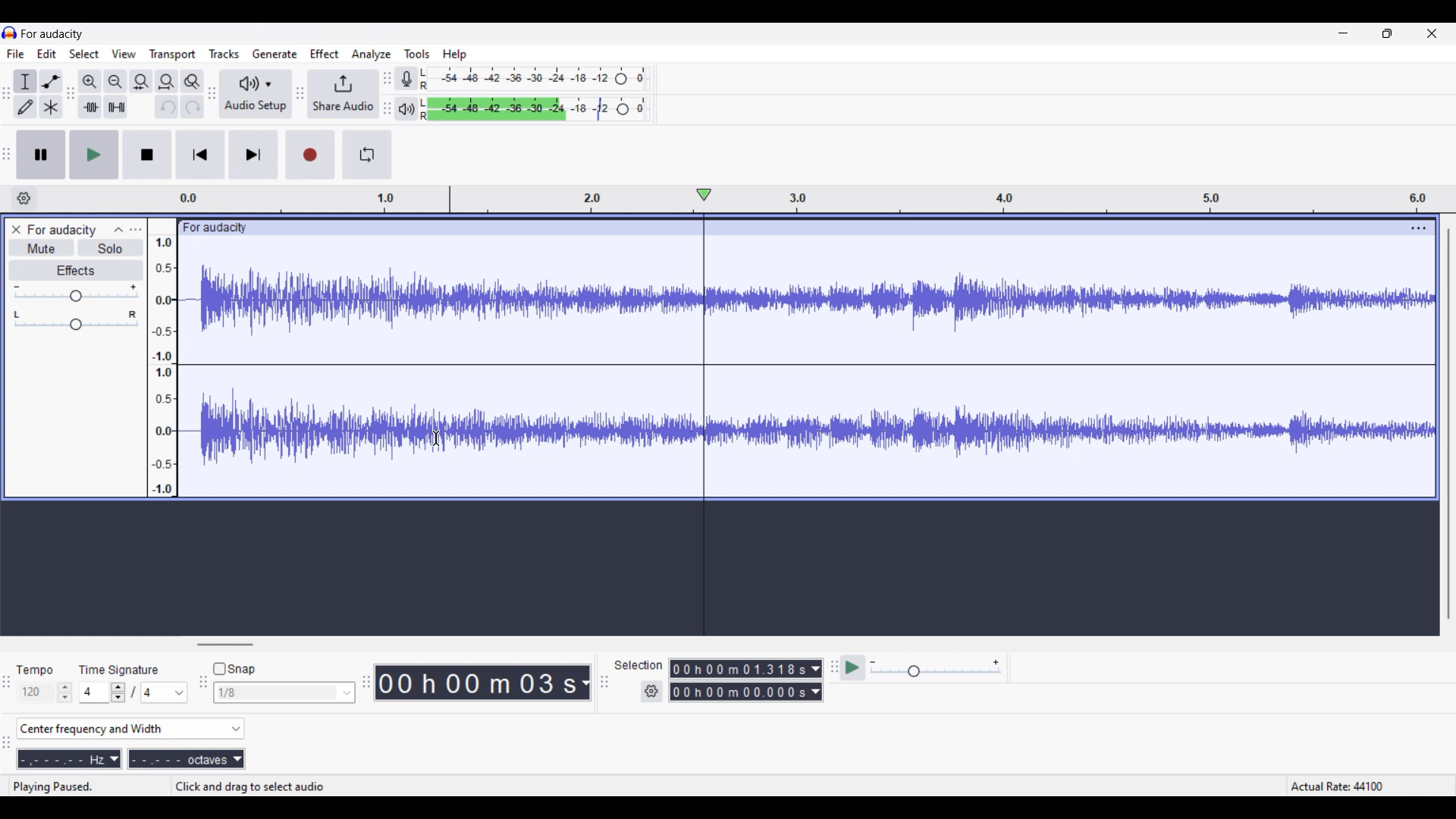 Image resolution: width=1456 pixels, height=819 pixels. I want to click on Tracks menu, so click(224, 54).